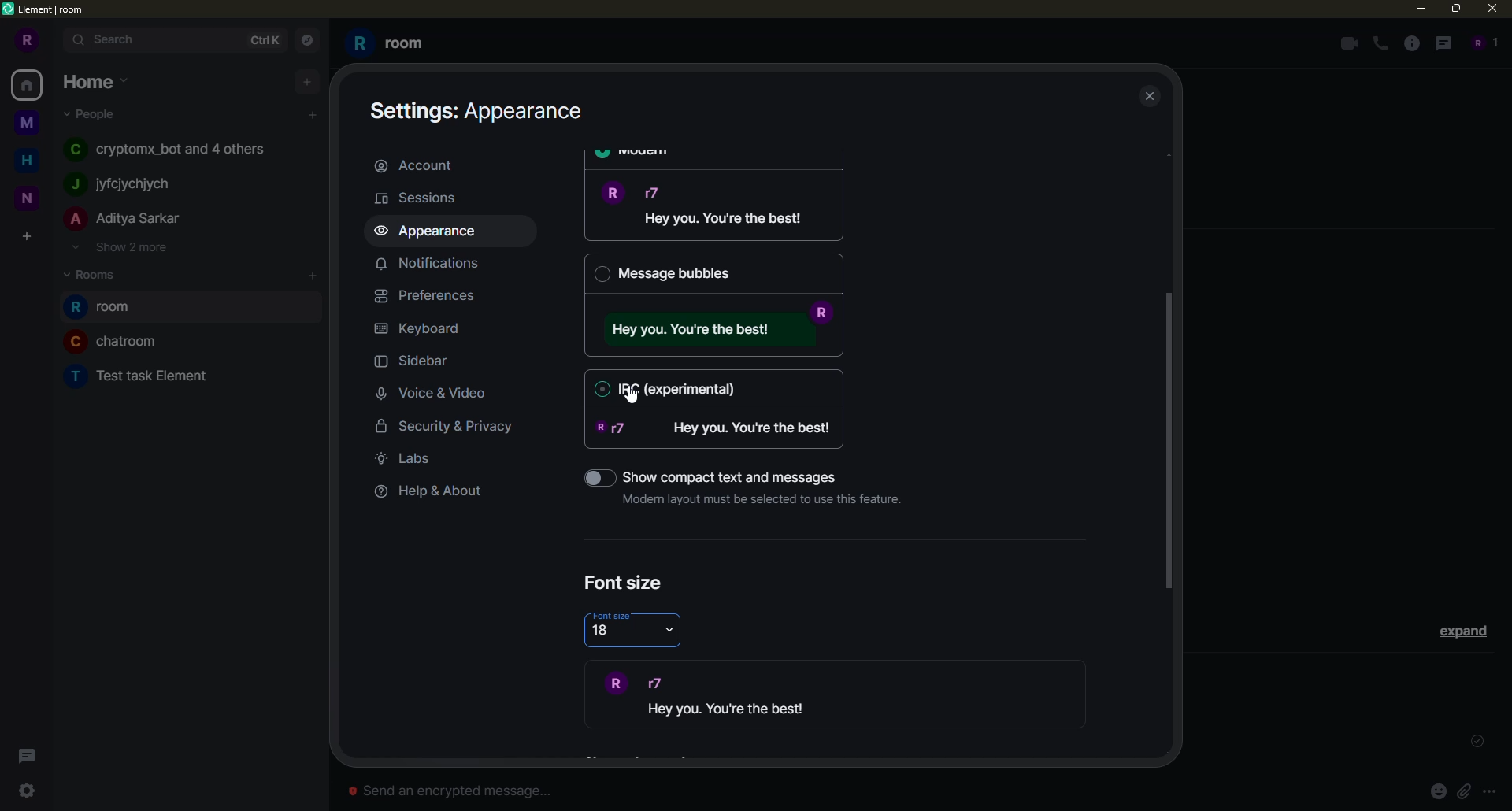  Describe the element at coordinates (671, 631) in the screenshot. I see `drop down` at that location.